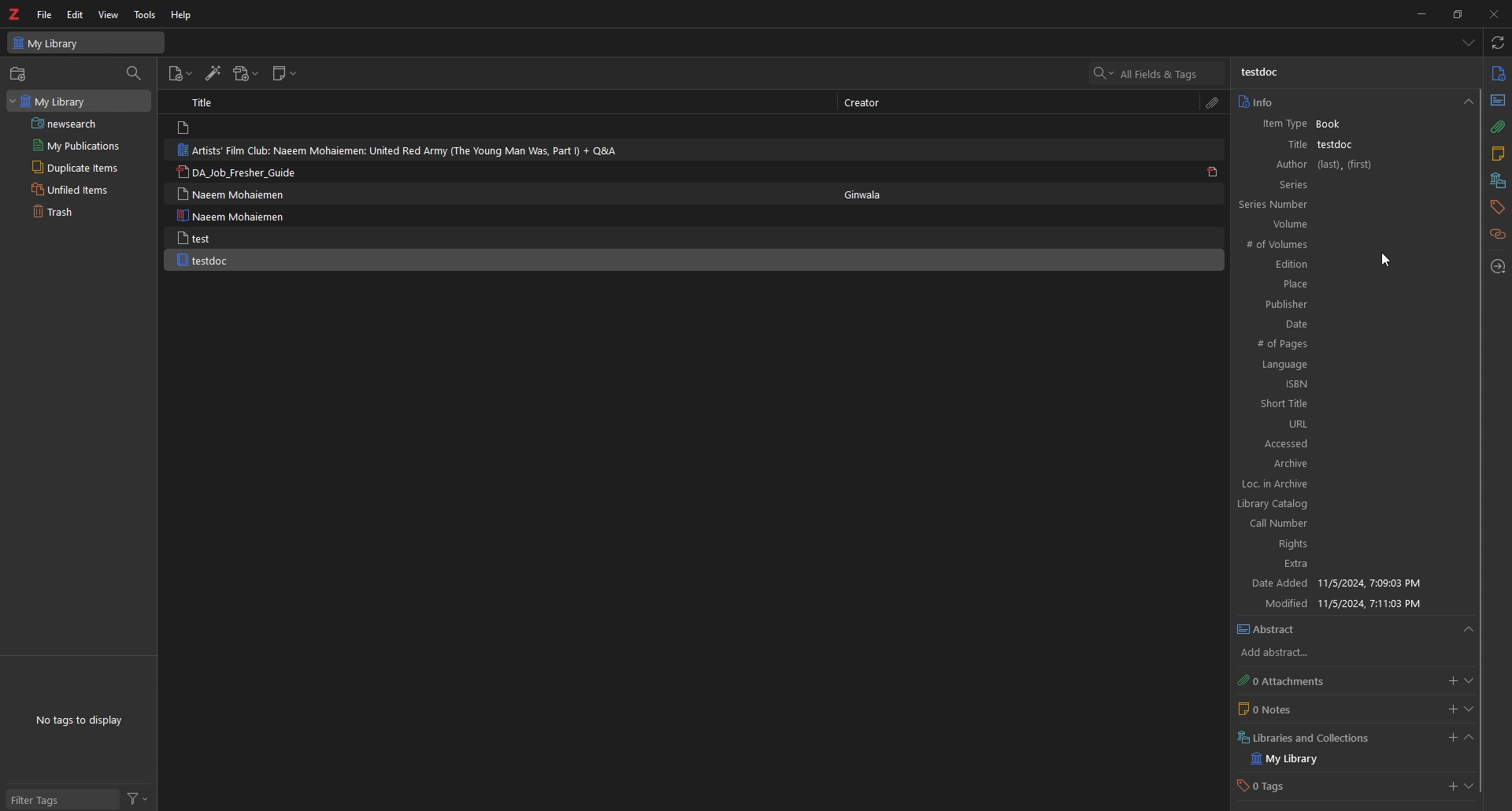  What do you see at coordinates (1215, 103) in the screenshot?
I see `attachment` at bounding box center [1215, 103].